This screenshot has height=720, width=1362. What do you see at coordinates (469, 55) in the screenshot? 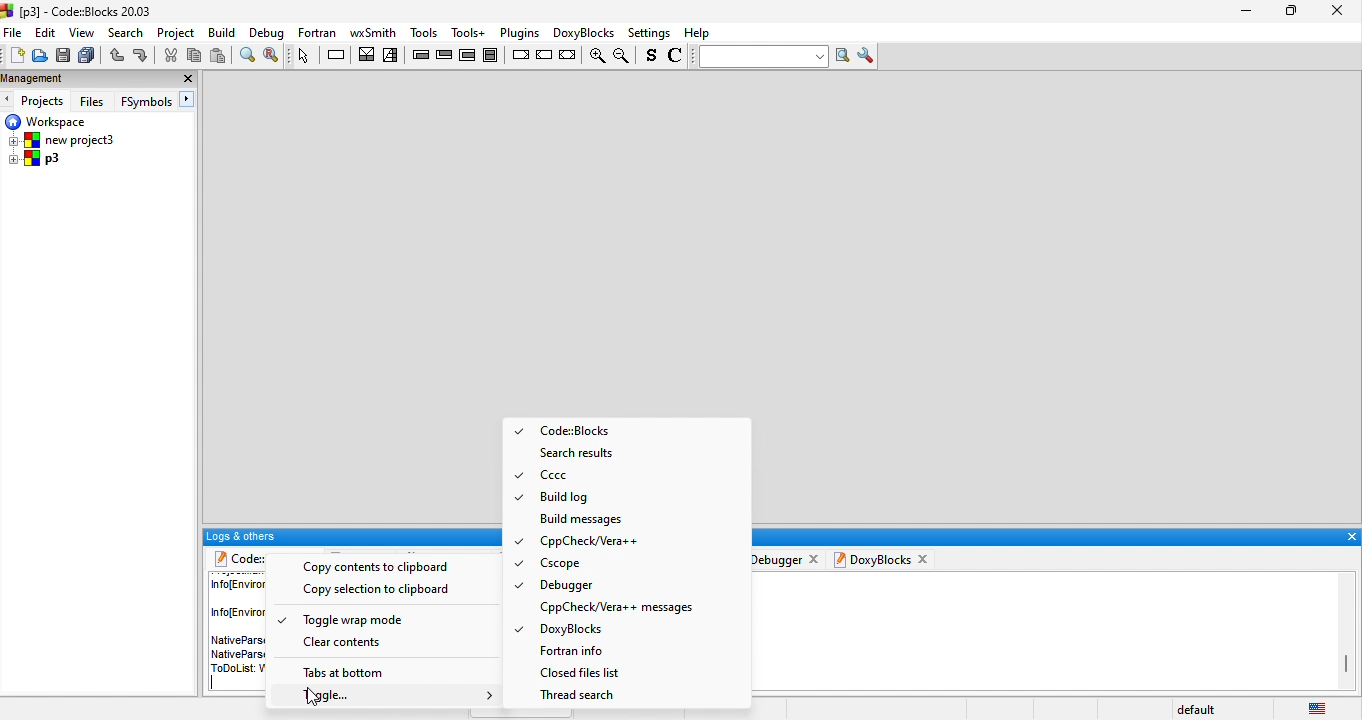
I see `counting loop` at bounding box center [469, 55].